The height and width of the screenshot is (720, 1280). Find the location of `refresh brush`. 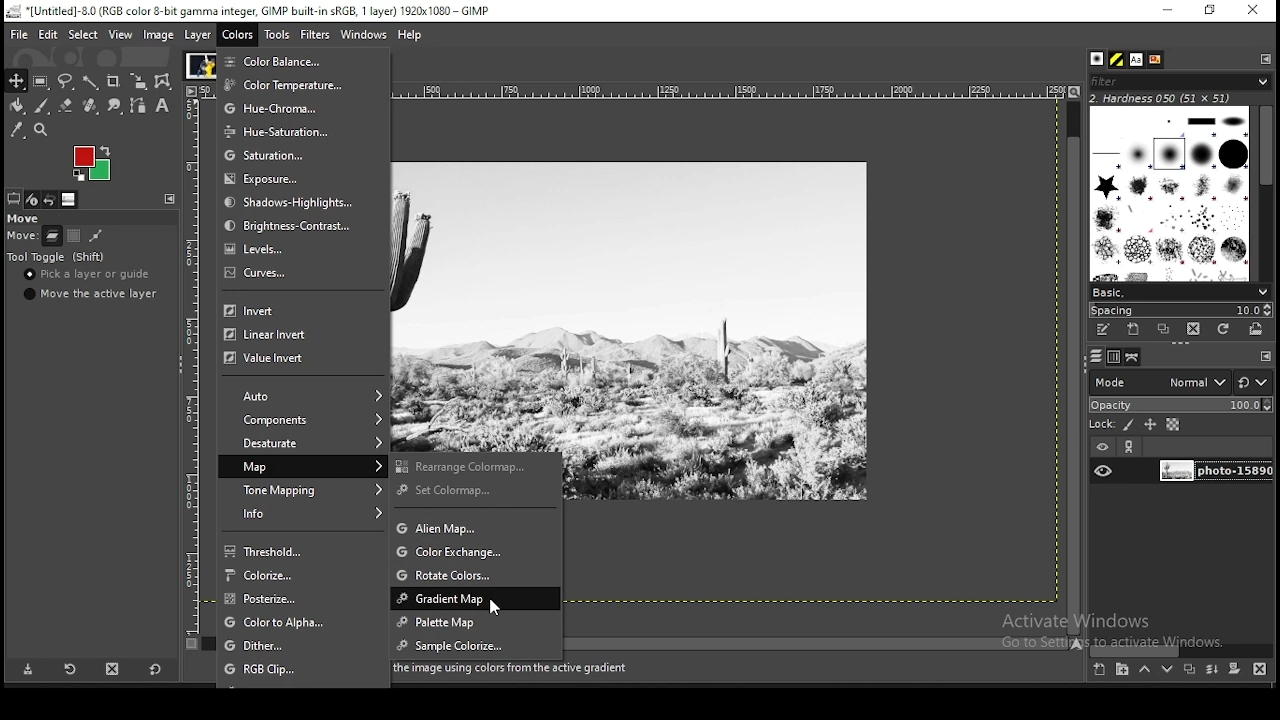

refresh brush is located at coordinates (1223, 329).